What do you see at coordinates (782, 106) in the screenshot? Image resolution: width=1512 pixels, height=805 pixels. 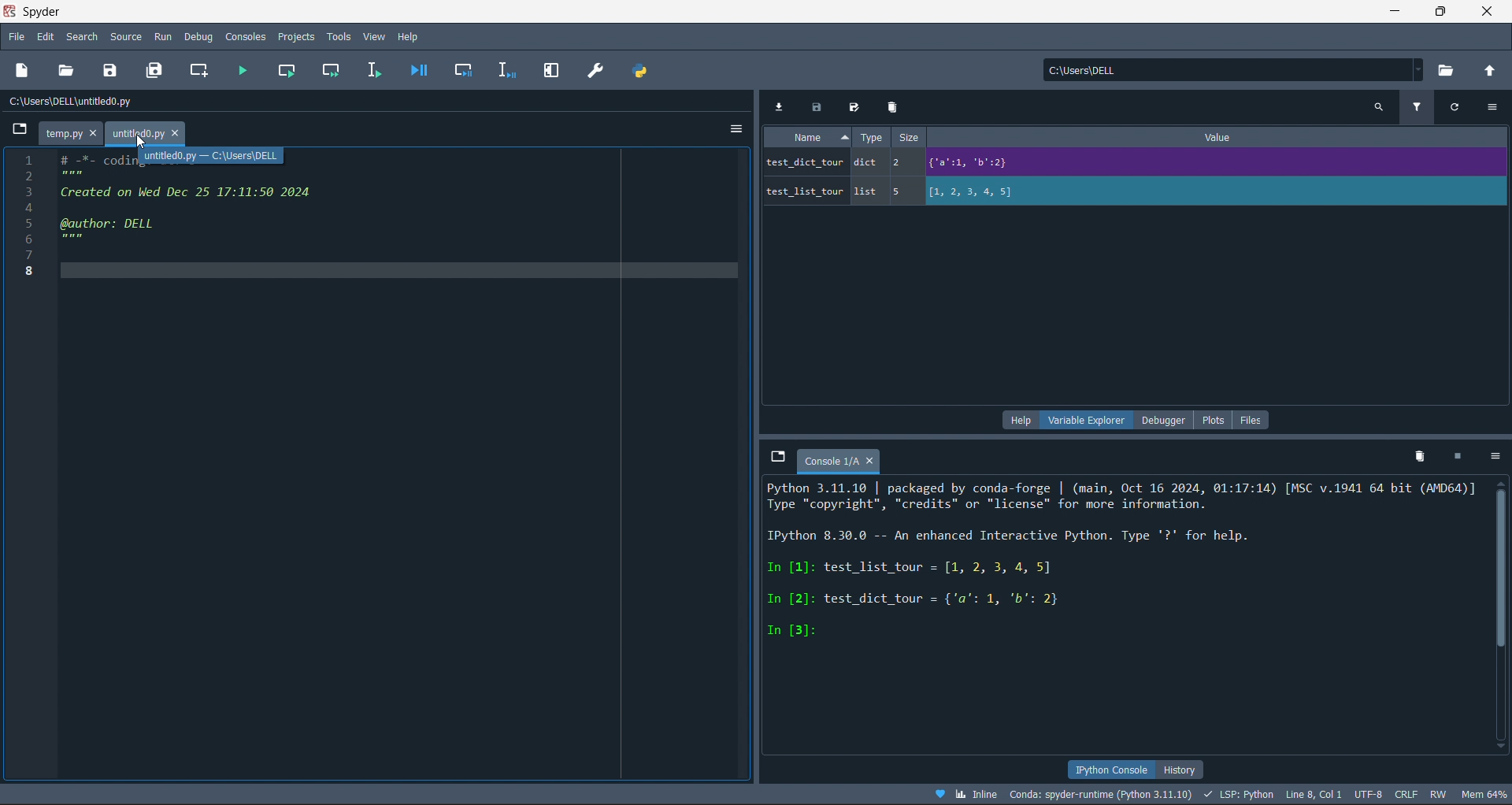 I see `import data ` at bounding box center [782, 106].